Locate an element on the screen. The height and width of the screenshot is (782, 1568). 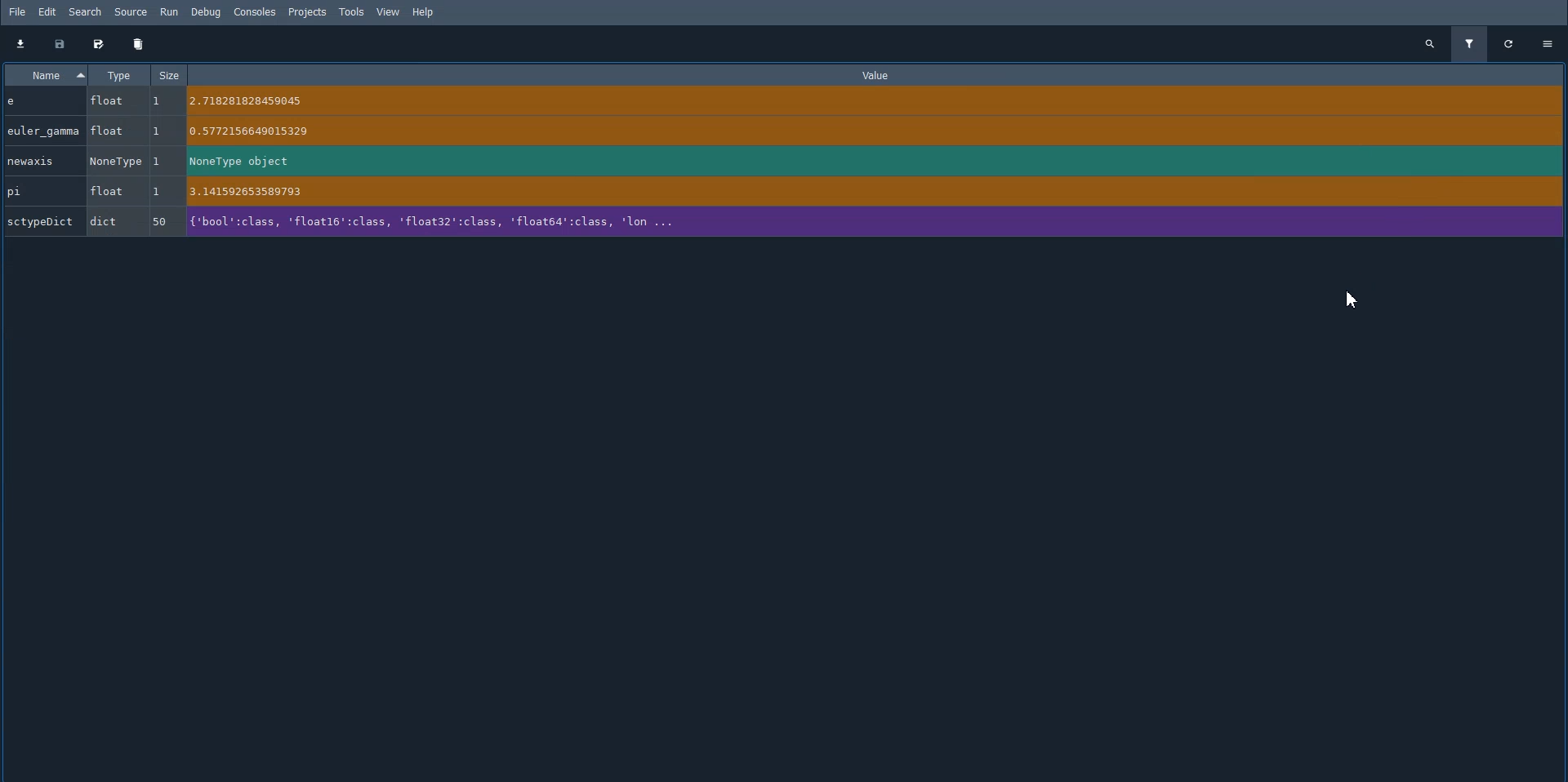
Name is located at coordinates (43, 74).